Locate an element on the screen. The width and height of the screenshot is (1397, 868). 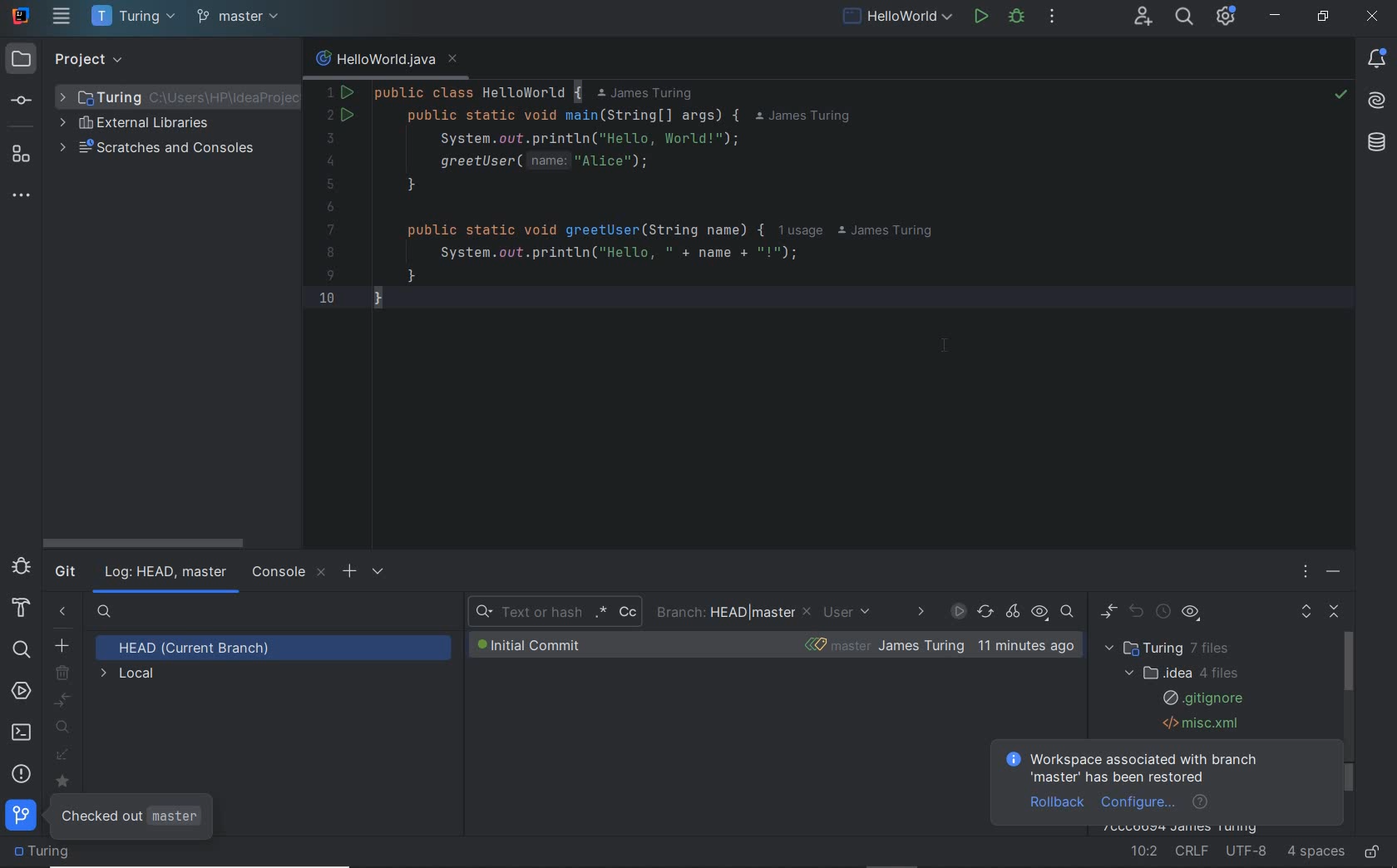
fetch all remotes is located at coordinates (64, 757).